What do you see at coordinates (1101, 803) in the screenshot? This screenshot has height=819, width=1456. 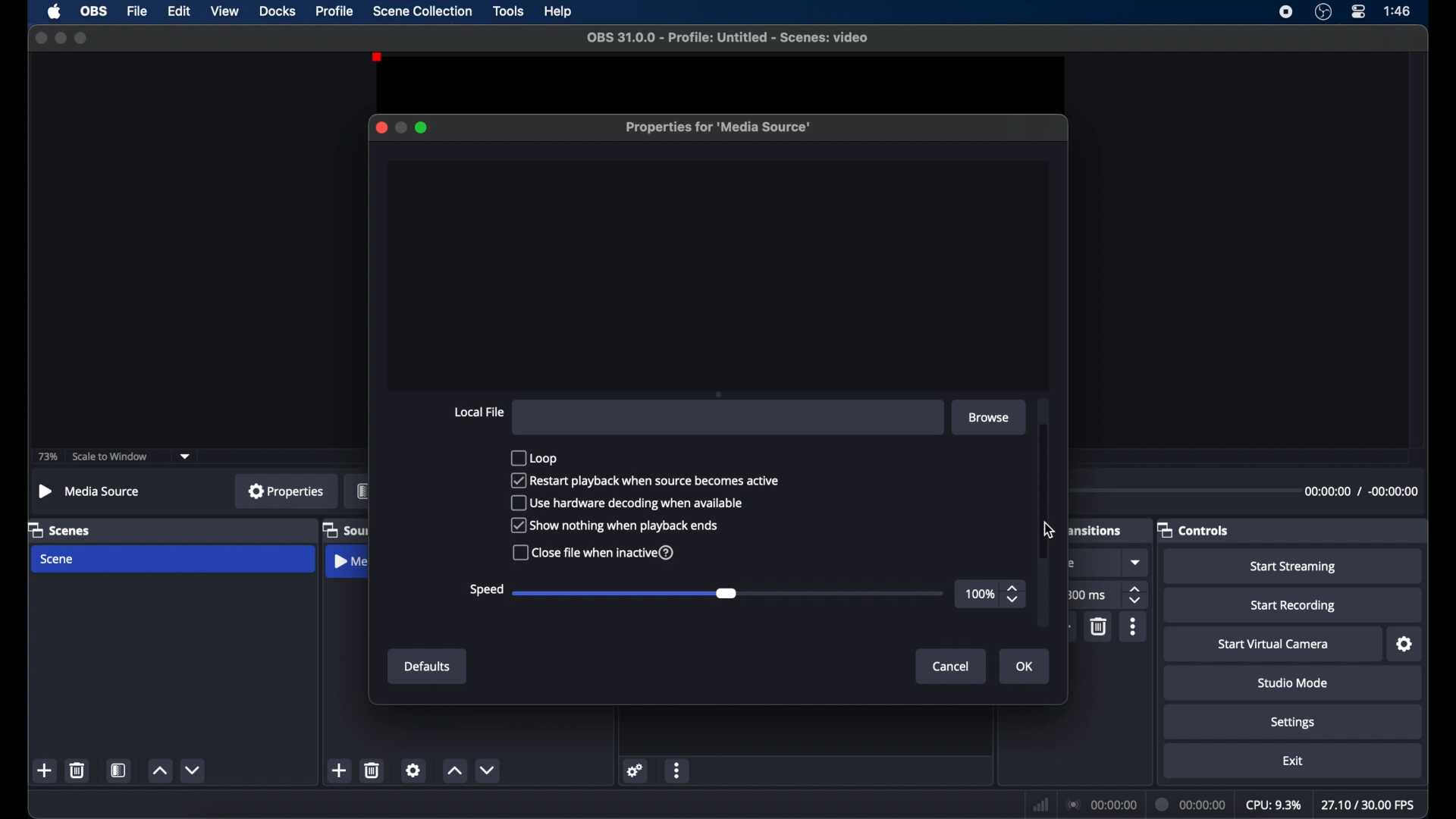 I see `connection` at bounding box center [1101, 803].